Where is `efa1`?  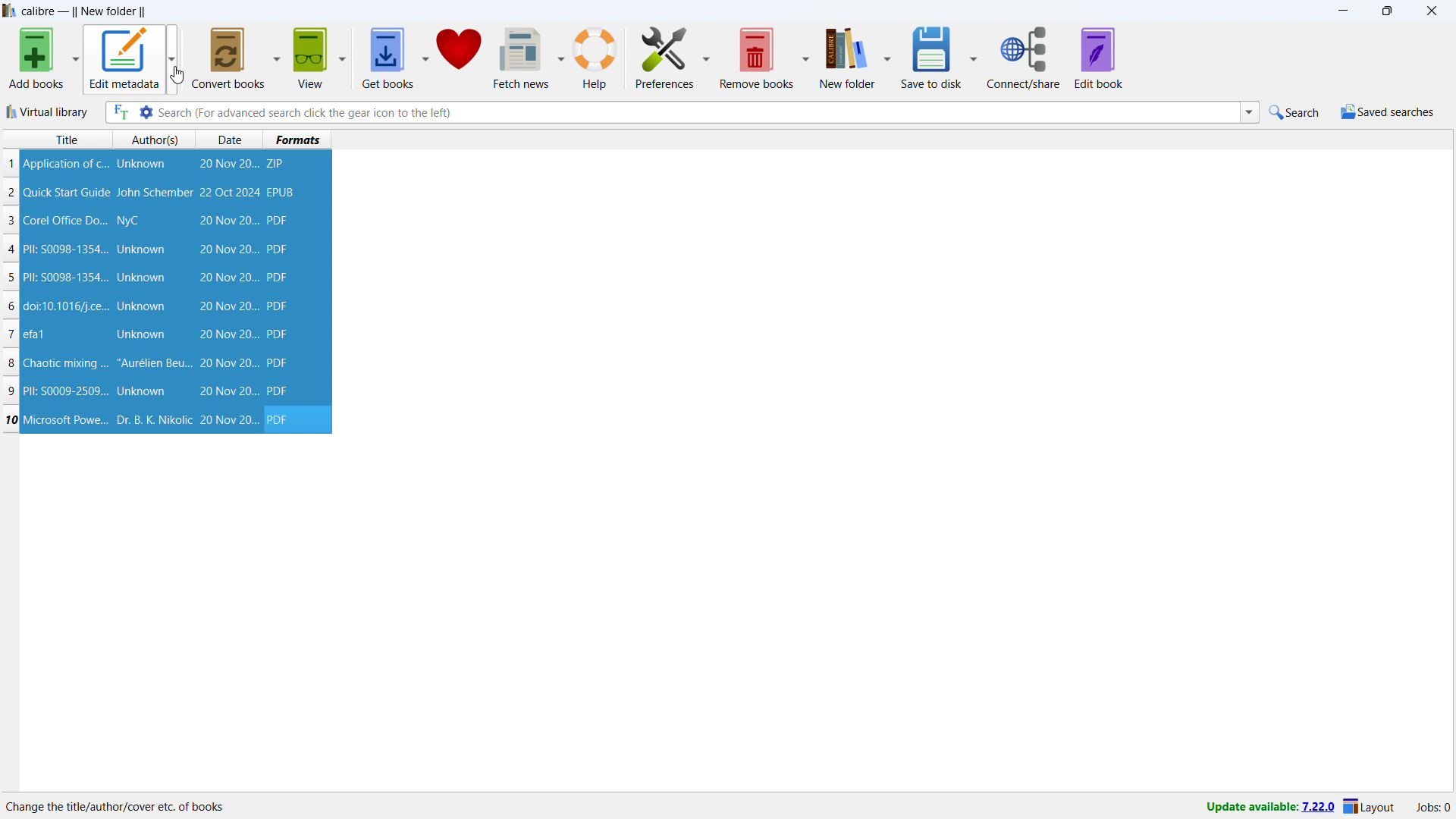 efa1 is located at coordinates (36, 334).